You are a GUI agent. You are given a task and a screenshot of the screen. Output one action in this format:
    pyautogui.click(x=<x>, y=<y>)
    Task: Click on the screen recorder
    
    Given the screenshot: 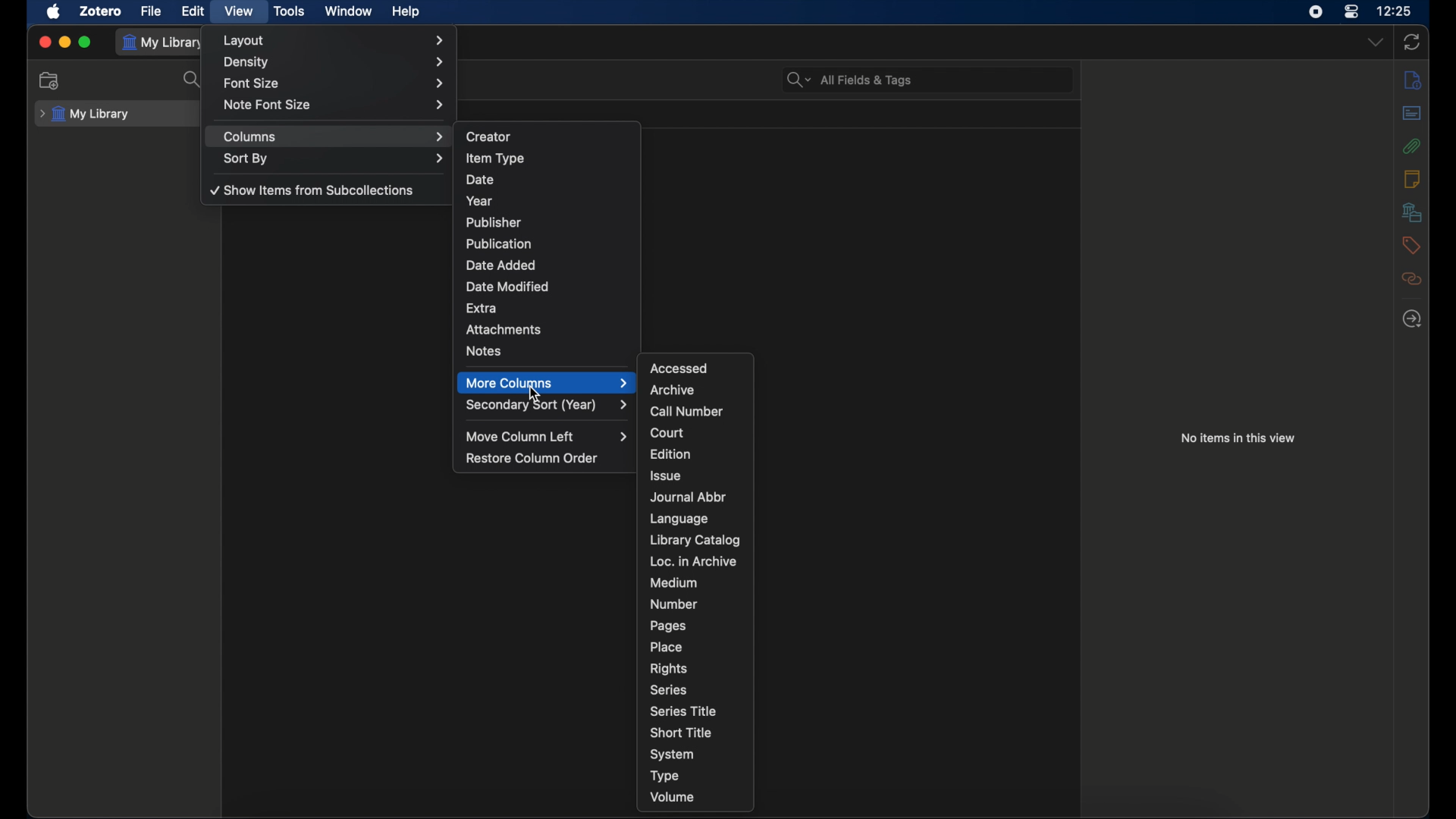 What is the action you would take?
    pyautogui.click(x=1318, y=11)
    